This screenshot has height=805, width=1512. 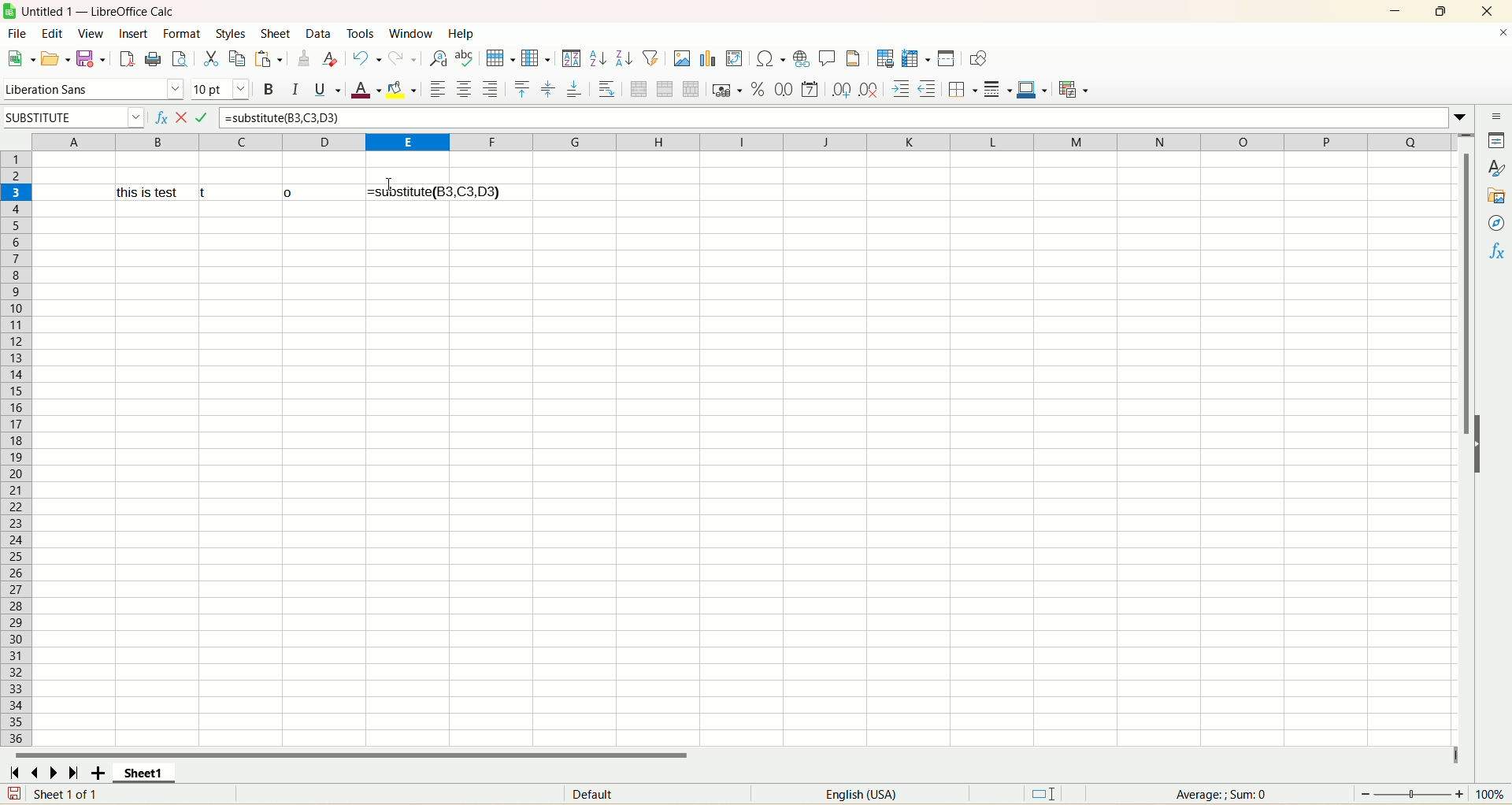 I want to click on gallery, so click(x=1495, y=196).